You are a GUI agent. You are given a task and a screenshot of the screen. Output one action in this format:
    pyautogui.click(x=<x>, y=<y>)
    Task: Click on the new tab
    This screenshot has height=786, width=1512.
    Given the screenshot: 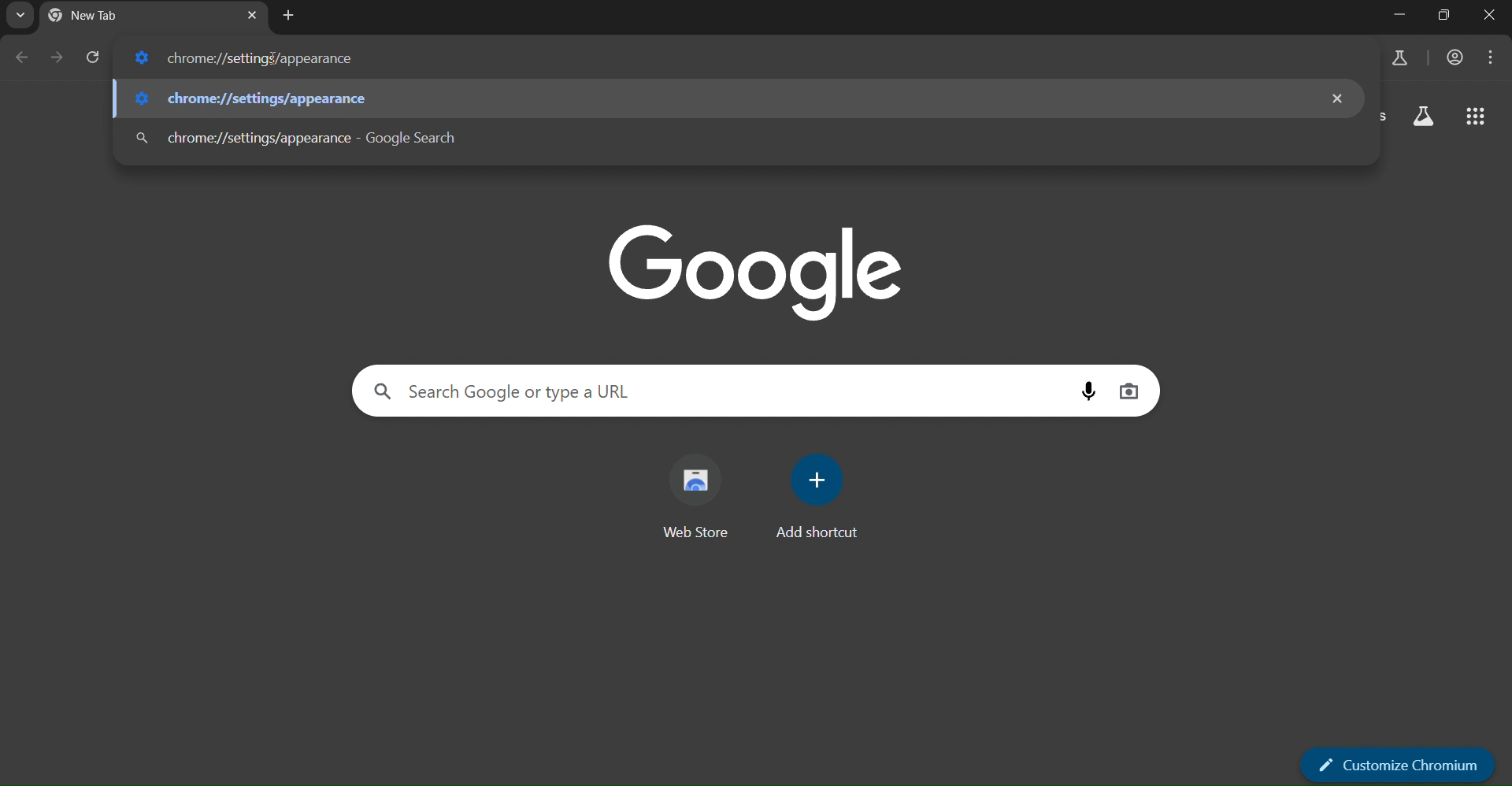 What is the action you would take?
    pyautogui.click(x=289, y=17)
    